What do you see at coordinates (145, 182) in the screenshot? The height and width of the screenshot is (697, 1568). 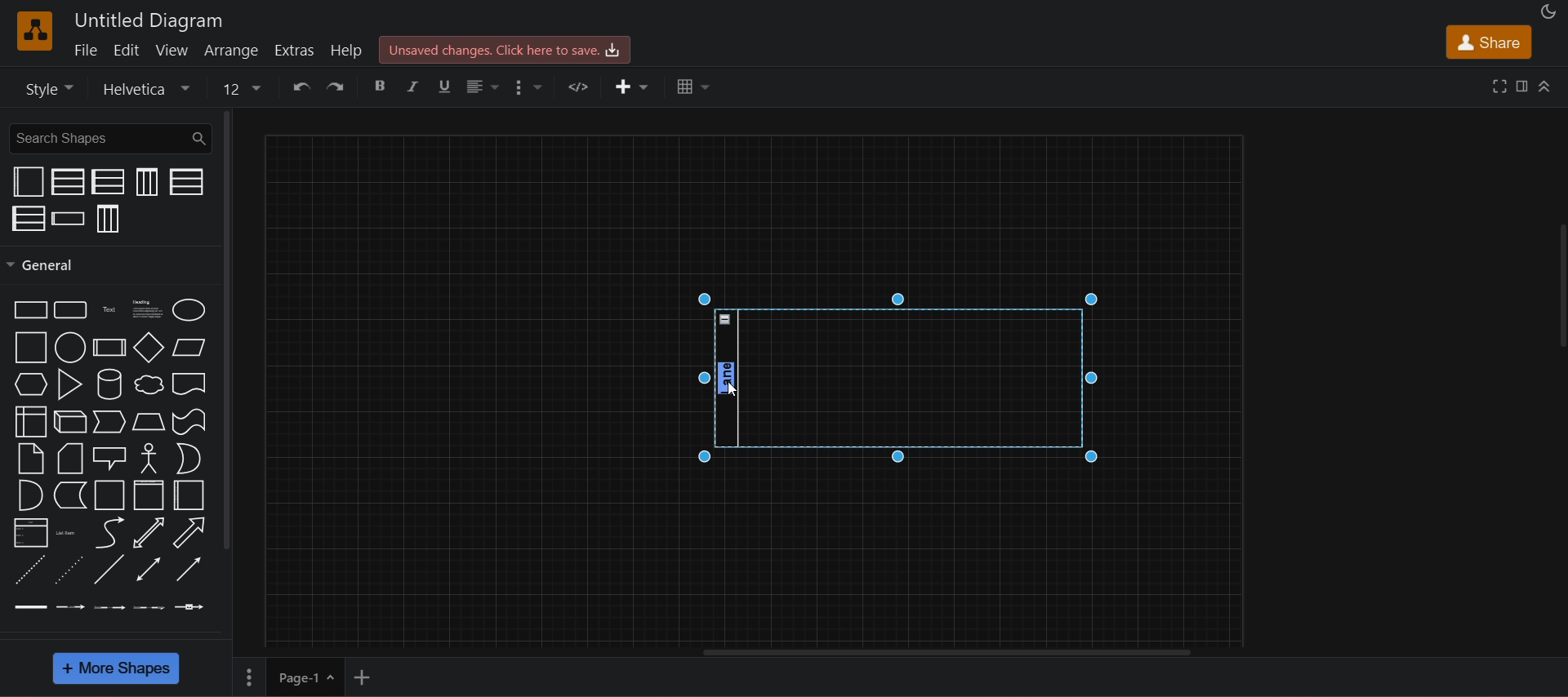 I see `vertical pool 1` at bounding box center [145, 182].